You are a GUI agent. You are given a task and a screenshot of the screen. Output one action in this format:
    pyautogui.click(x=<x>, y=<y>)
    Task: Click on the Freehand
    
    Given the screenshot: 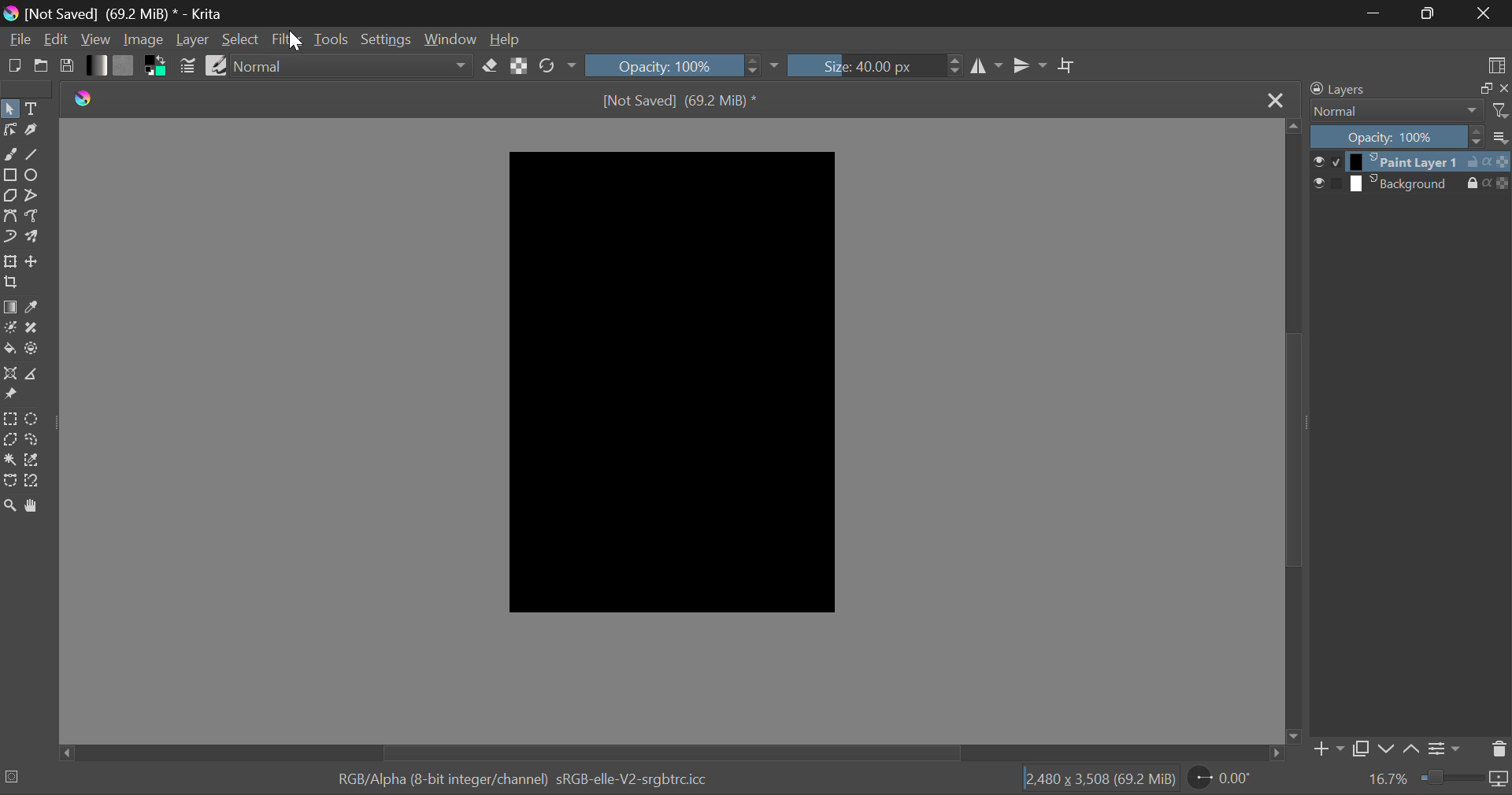 What is the action you would take?
    pyautogui.click(x=9, y=154)
    